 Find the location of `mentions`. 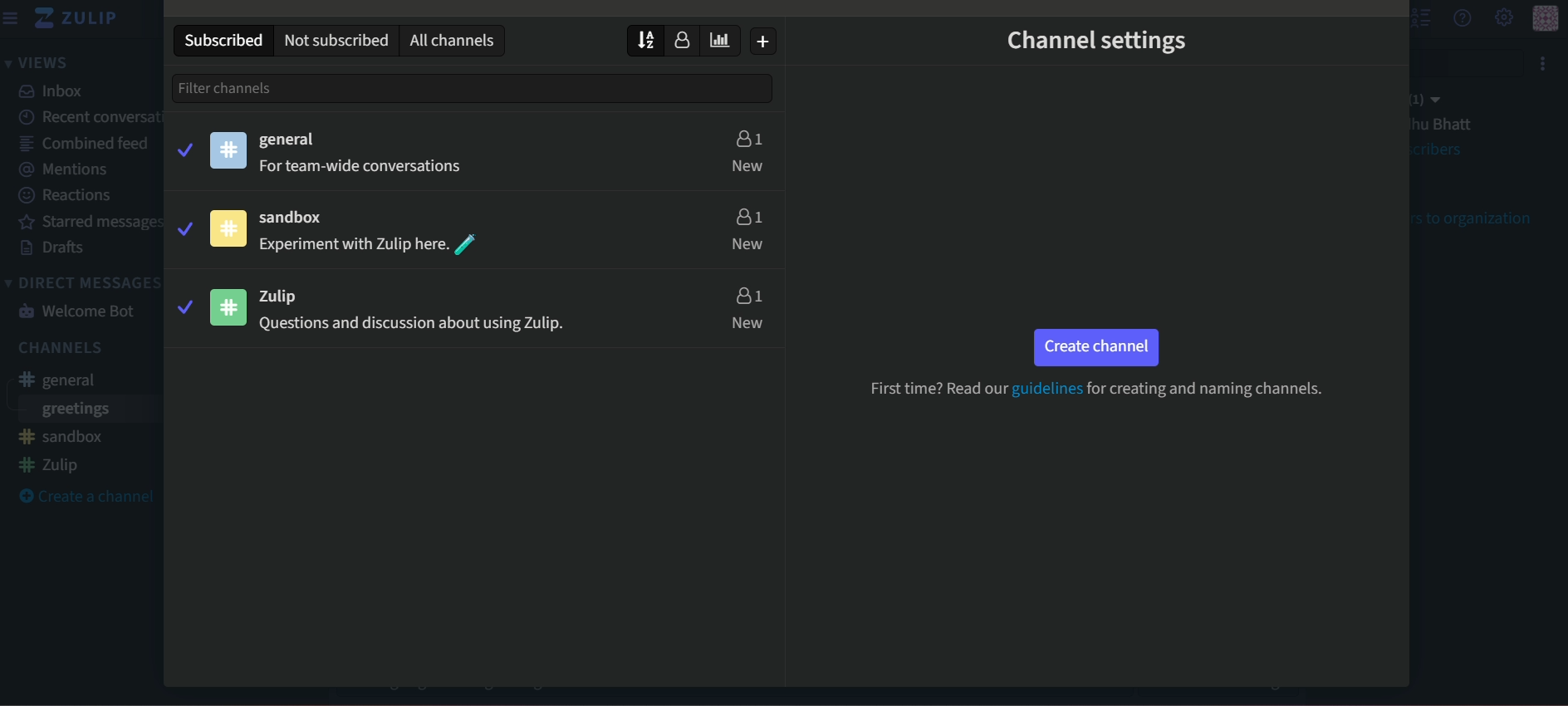

mentions is located at coordinates (64, 168).